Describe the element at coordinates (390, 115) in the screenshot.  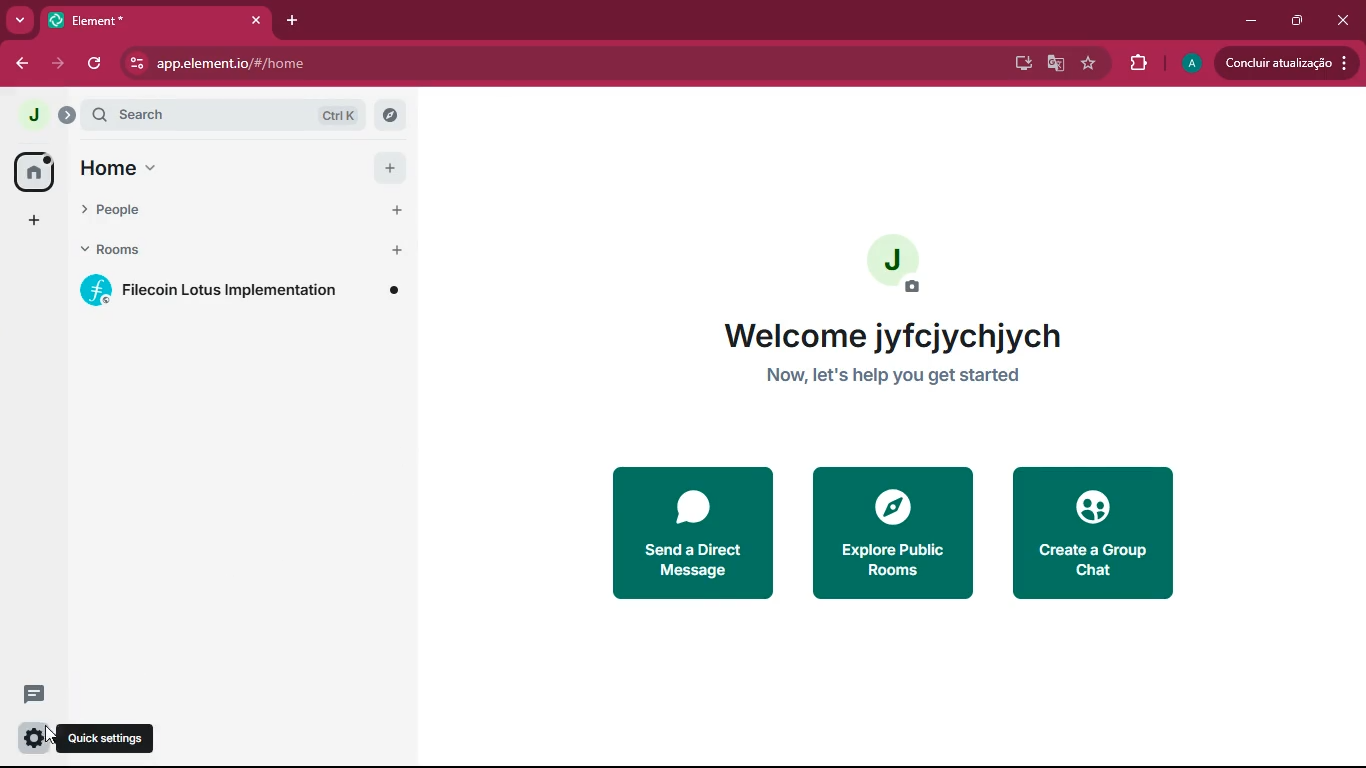
I see `explore rooms` at that location.